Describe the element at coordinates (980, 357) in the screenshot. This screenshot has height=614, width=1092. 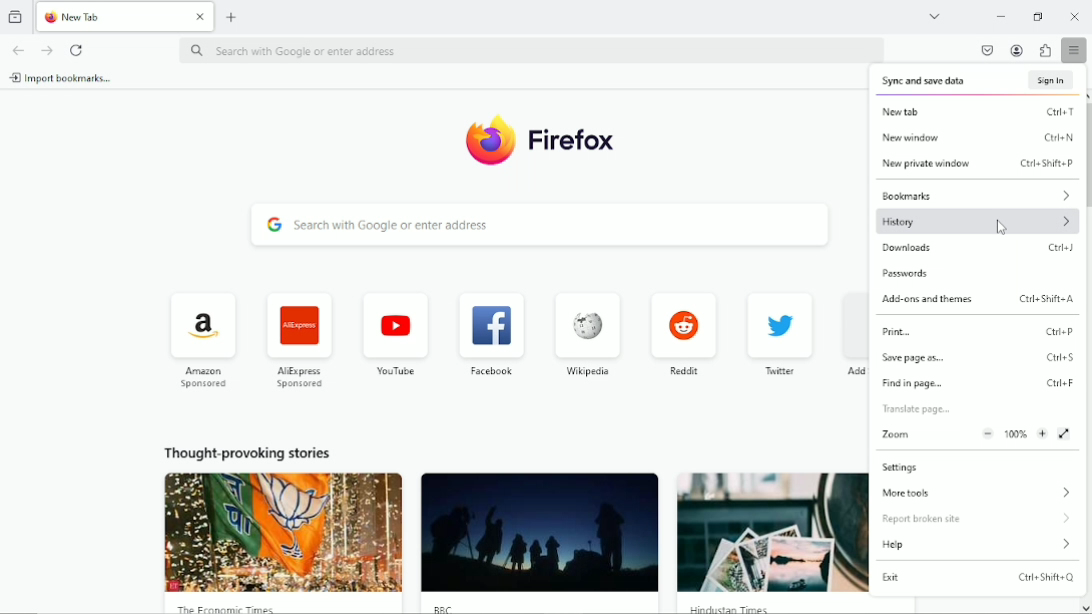
I see `save page as... Ctrl+S` at that location.